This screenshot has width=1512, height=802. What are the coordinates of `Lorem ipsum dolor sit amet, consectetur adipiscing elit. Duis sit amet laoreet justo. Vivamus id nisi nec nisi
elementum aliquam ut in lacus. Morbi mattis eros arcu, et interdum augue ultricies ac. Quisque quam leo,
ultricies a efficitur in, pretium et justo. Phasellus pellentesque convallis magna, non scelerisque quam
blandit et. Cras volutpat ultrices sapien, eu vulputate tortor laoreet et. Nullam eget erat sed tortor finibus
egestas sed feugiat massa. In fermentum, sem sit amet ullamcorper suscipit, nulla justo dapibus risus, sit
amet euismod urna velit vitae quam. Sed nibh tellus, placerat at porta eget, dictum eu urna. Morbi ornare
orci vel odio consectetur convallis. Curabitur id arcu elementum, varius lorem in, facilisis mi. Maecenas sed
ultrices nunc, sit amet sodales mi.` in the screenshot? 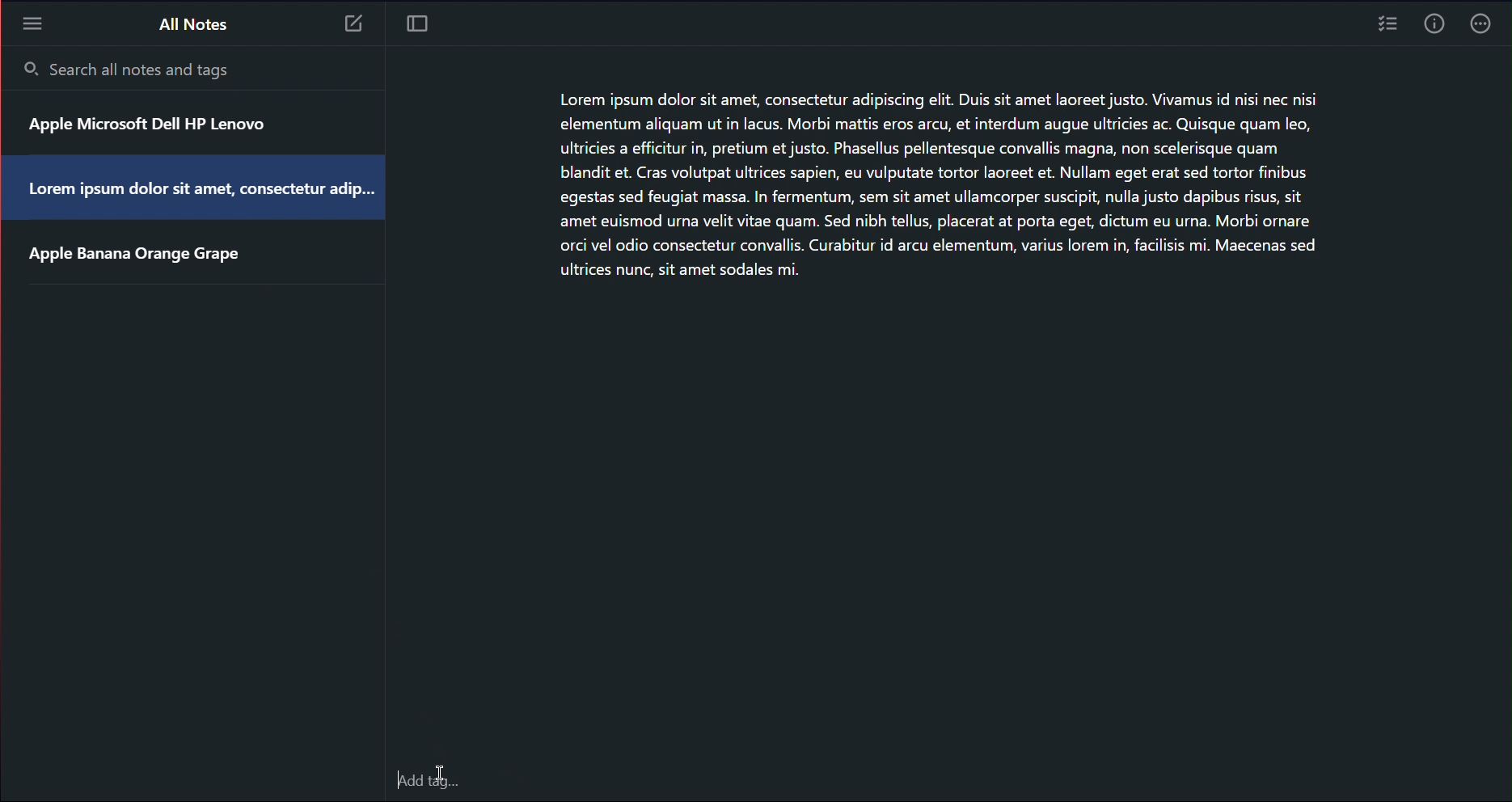 It's located at (934, 186).